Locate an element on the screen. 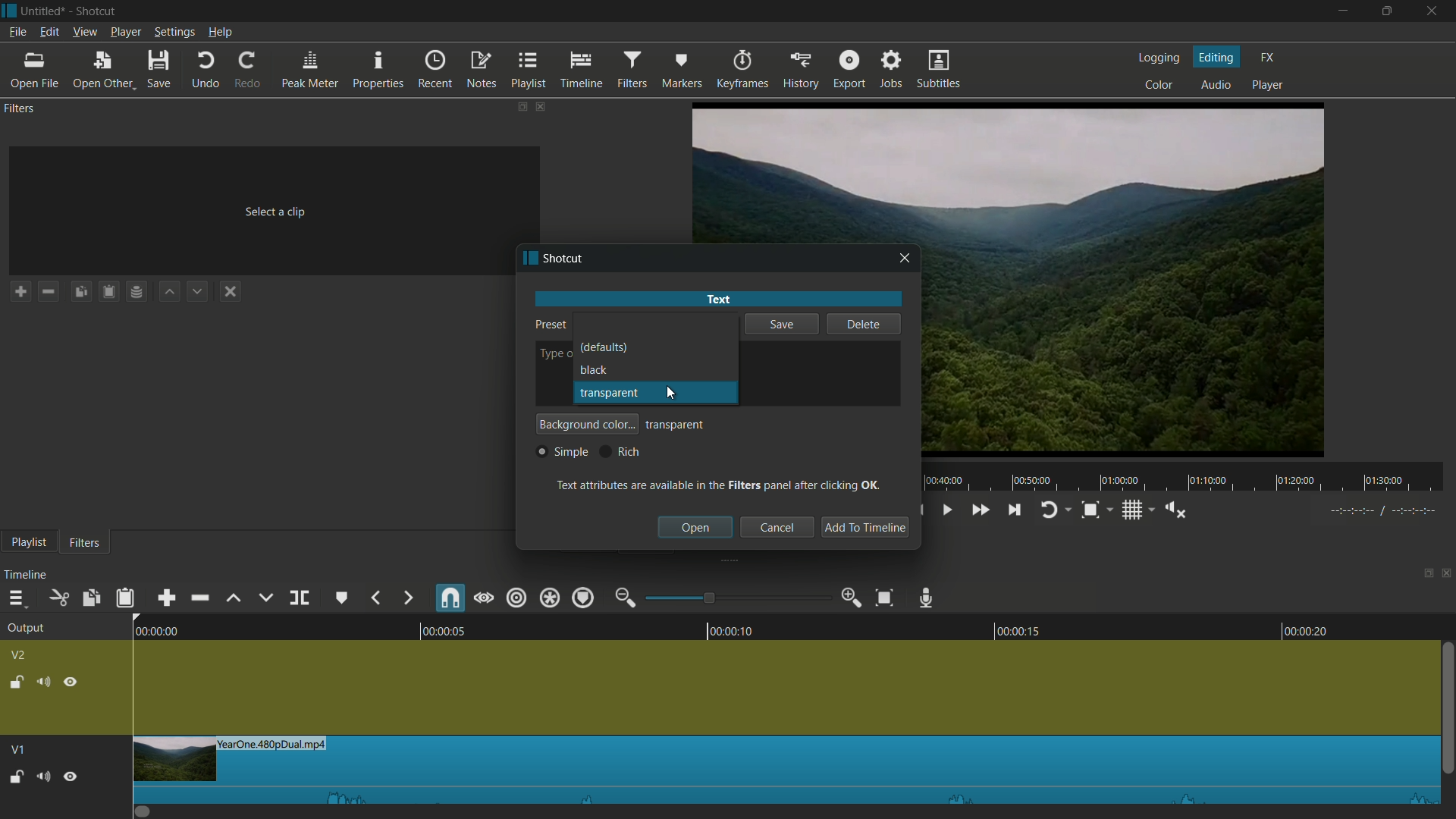 Image resolution: width=1456 pixels, height=819 pixels. playlist is located at coordinates (28, 541).